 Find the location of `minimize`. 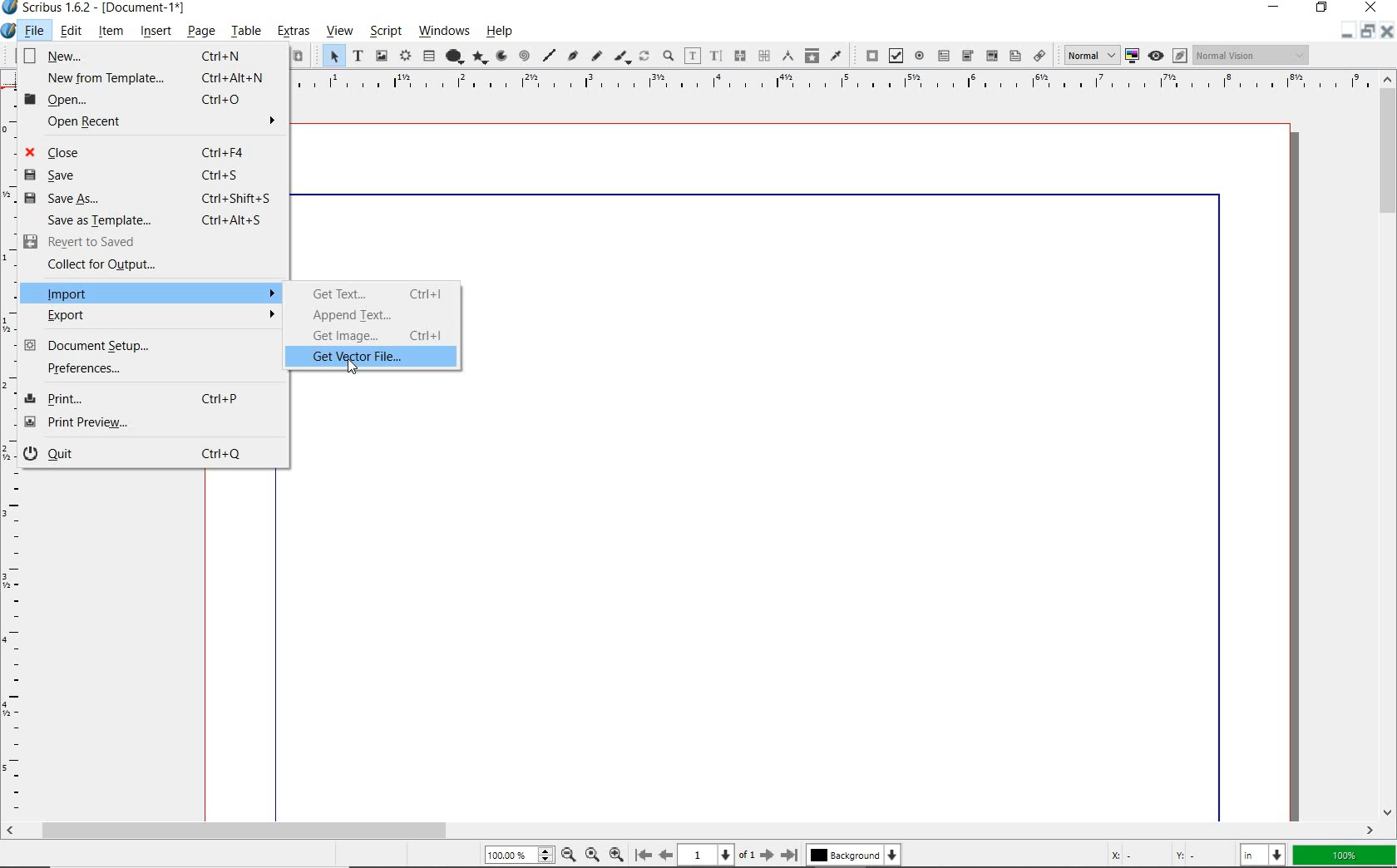

minimize is located at coordinates (1278, 7).